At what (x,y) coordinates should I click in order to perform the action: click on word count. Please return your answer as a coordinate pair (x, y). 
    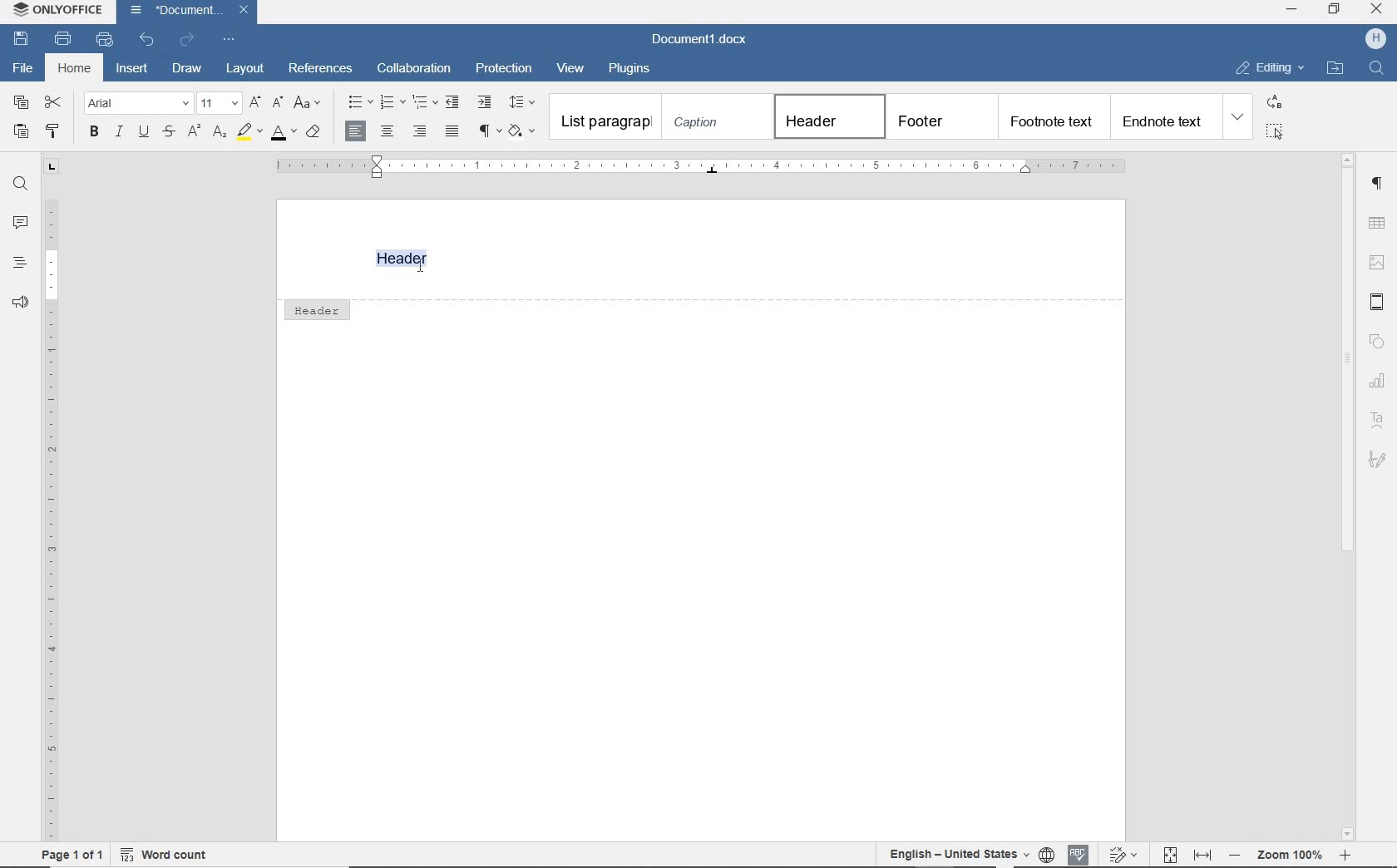
    Looking at the image, I should click on (163, 857).